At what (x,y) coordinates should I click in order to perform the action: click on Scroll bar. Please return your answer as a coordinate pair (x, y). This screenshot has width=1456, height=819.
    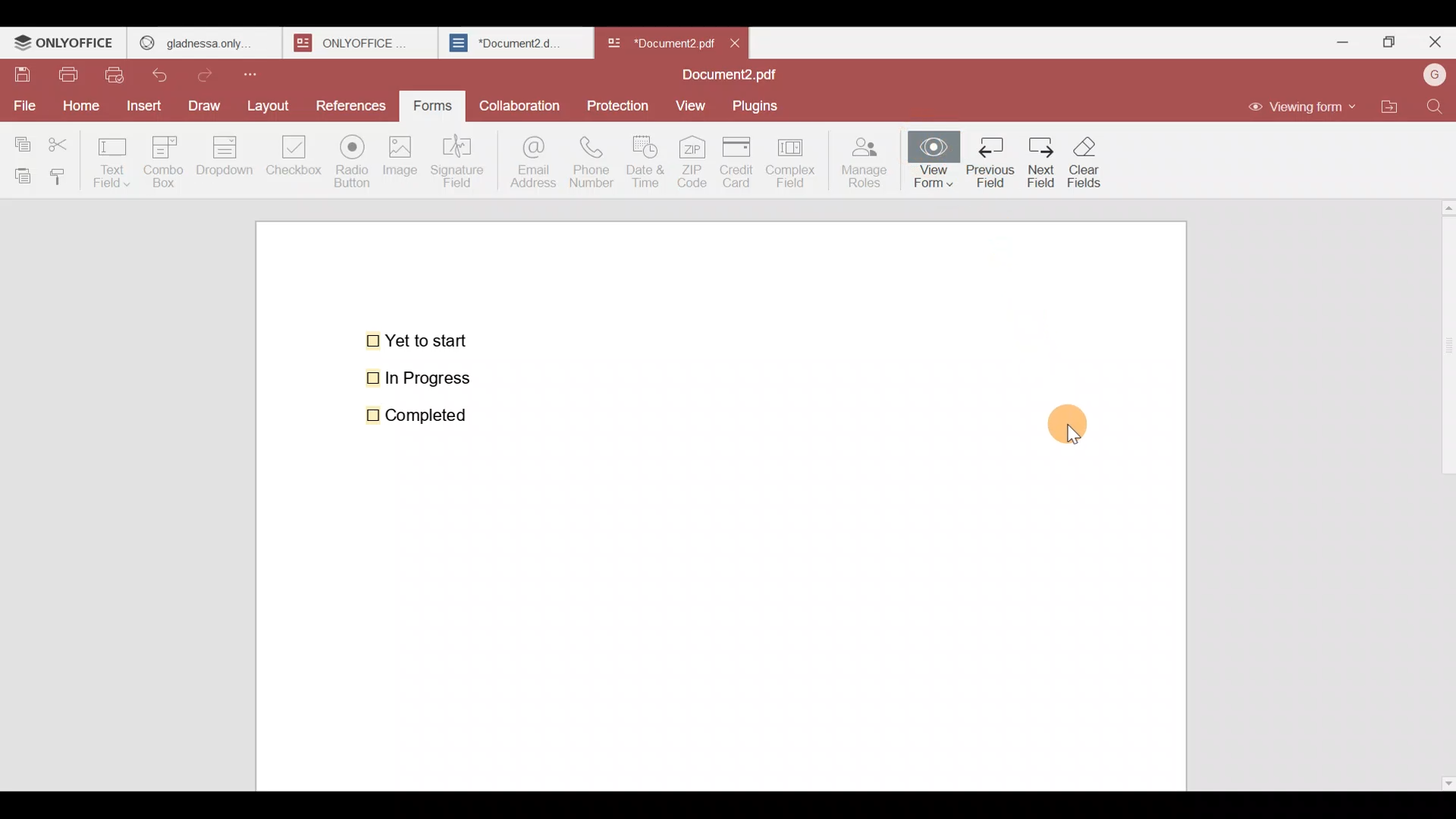
    Looking at the image, I should click on (1443, 491).